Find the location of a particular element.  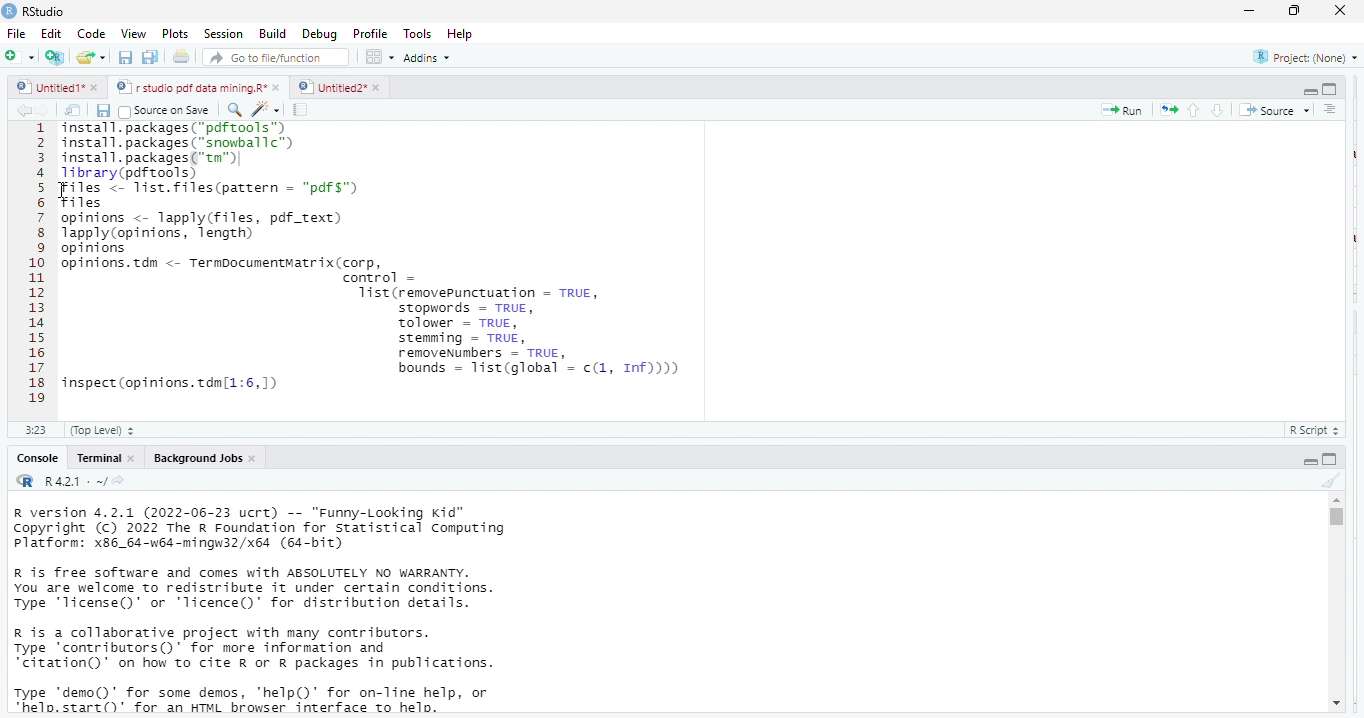

source on save is located at coordinates (168, 110).